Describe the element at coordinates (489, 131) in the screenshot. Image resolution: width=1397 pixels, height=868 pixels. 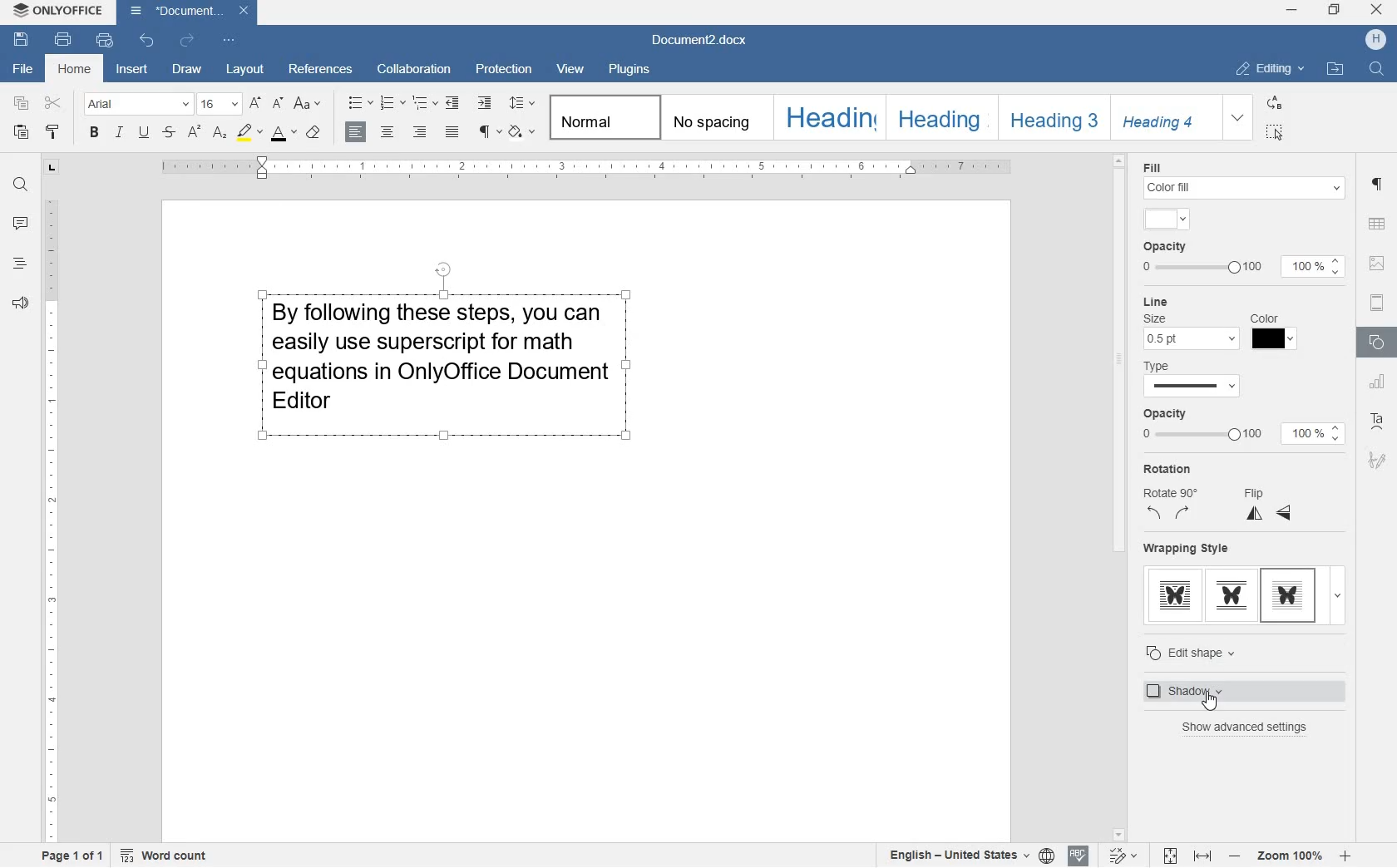
I see `nonprinting characters` at that location.